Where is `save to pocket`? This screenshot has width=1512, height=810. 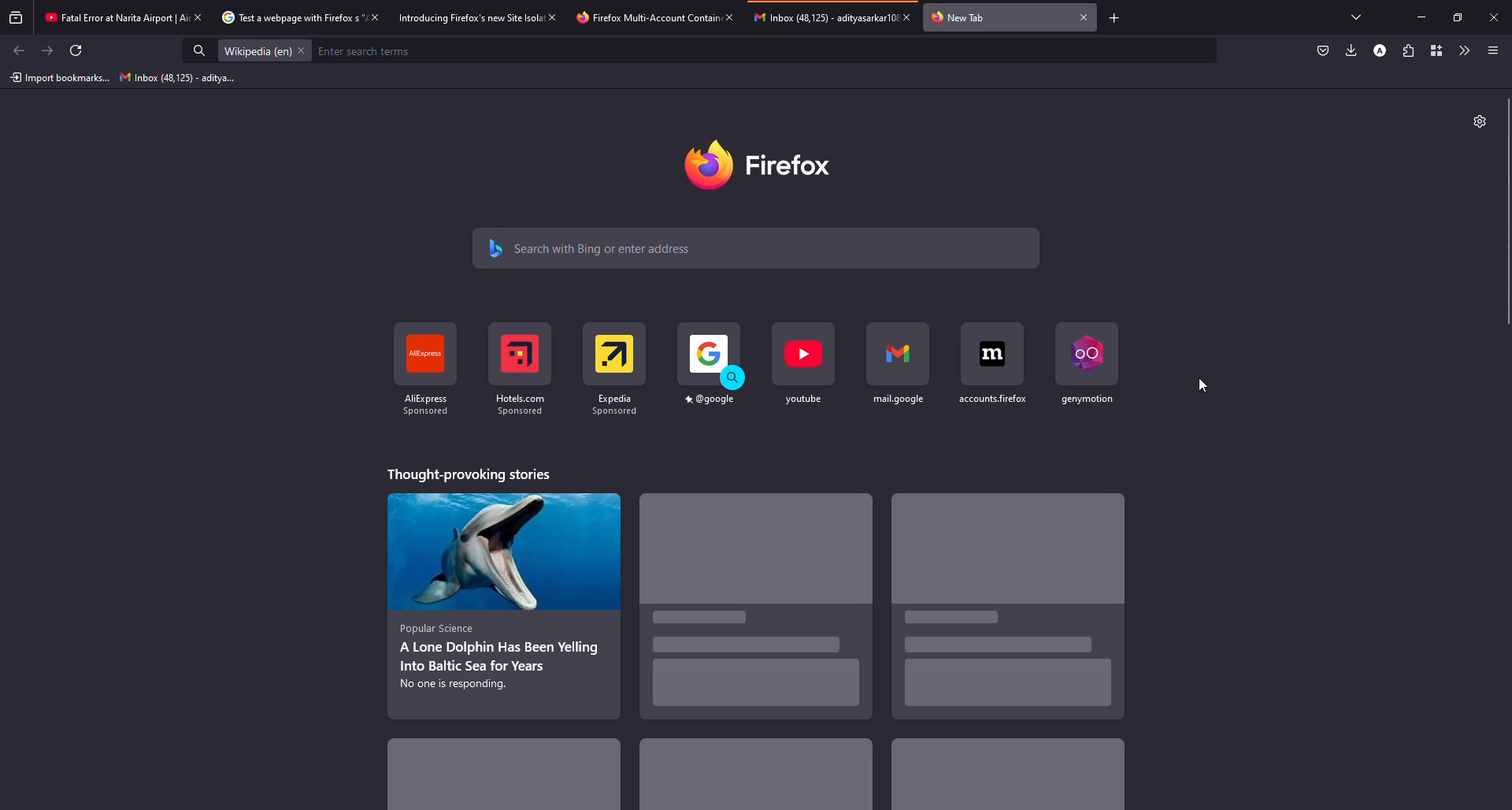 save to pocket is located at coordinates (1323, 51).